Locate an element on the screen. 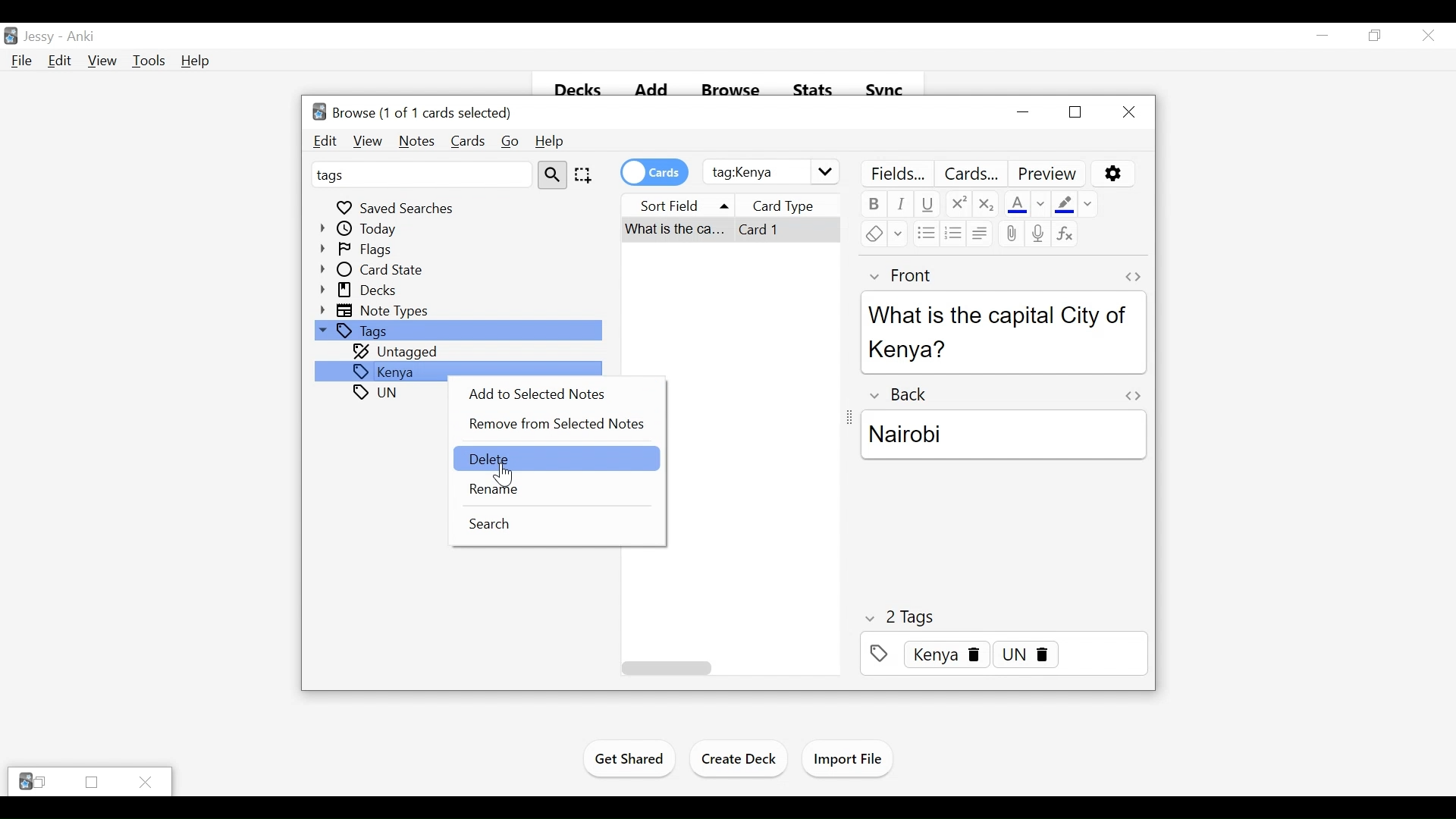  Back is located at coordinates (904, 393).